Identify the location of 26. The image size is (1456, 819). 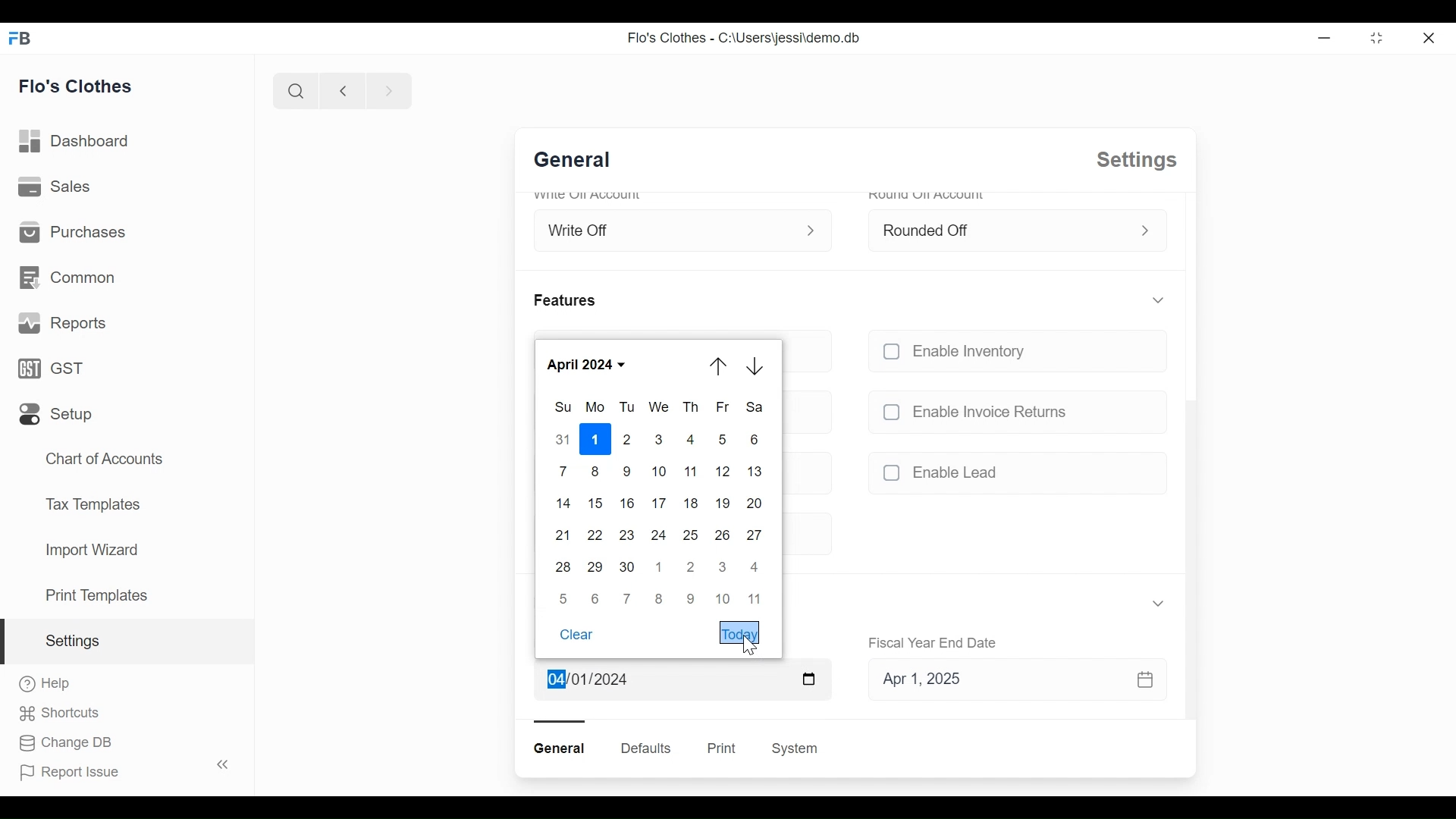
(722, 534).